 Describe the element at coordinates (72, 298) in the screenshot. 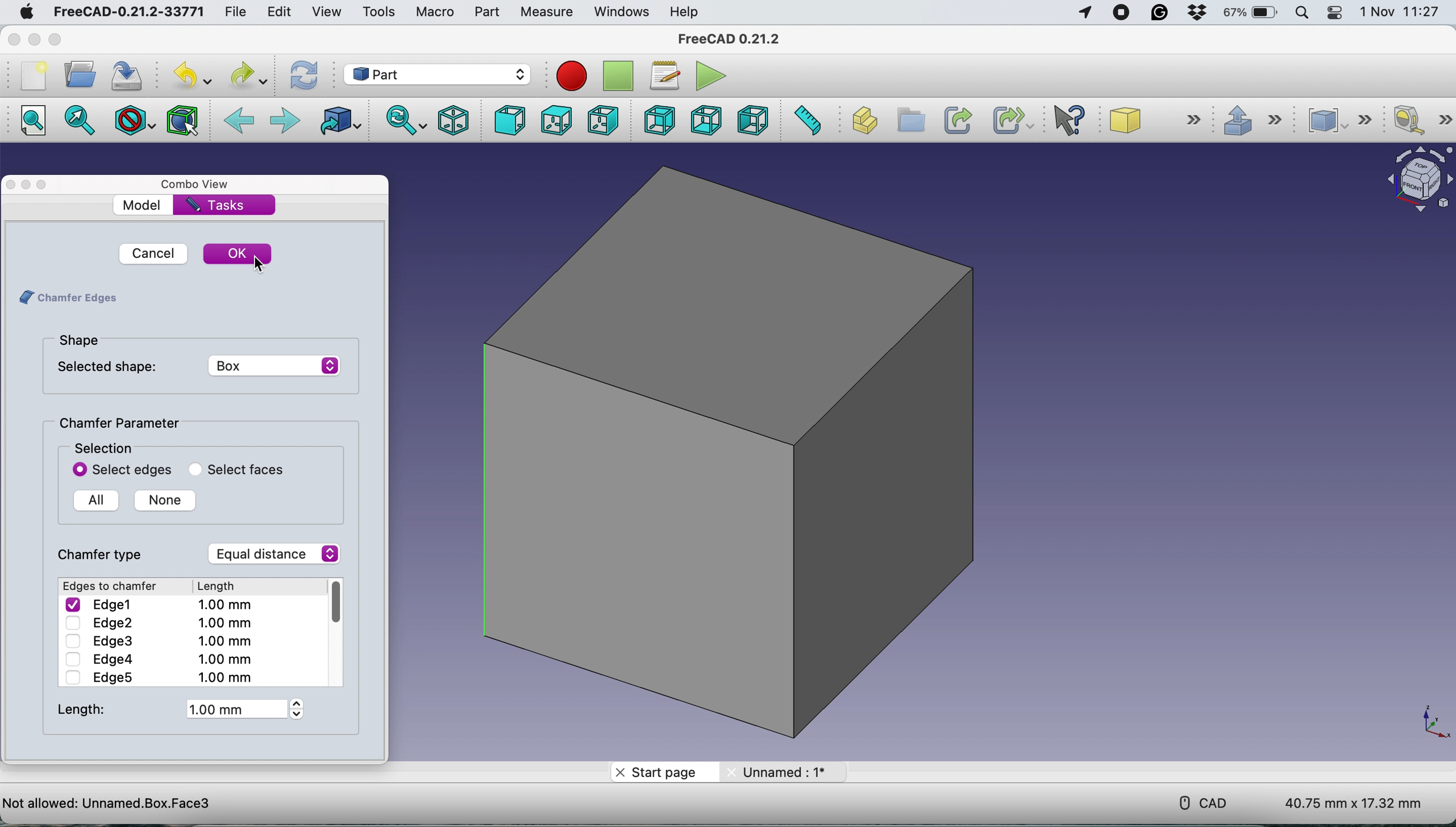

I see `chamfer edges` at that location.